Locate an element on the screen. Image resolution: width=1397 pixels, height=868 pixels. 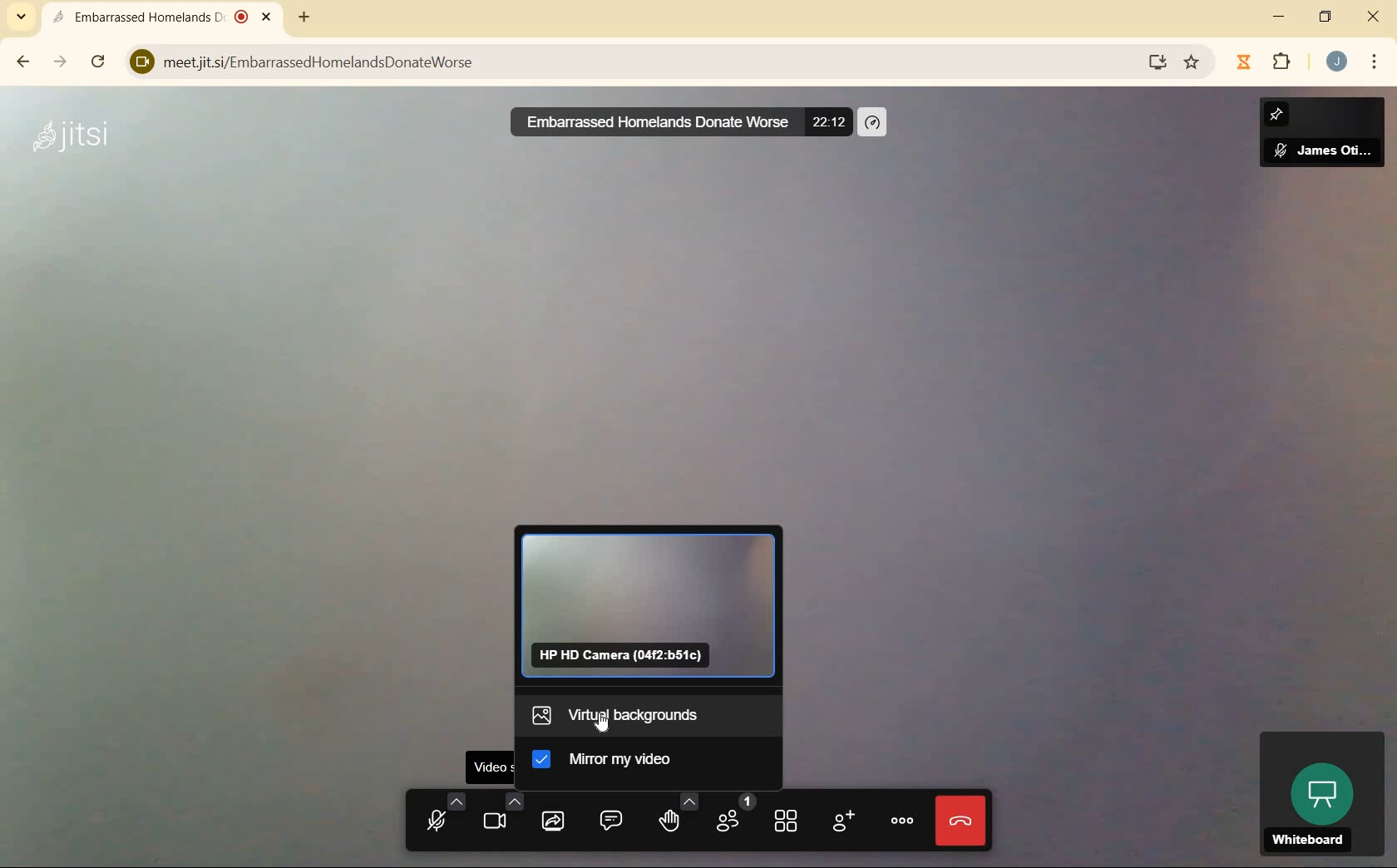
Embarrassed Homelands is located at coordinates (160, 16).